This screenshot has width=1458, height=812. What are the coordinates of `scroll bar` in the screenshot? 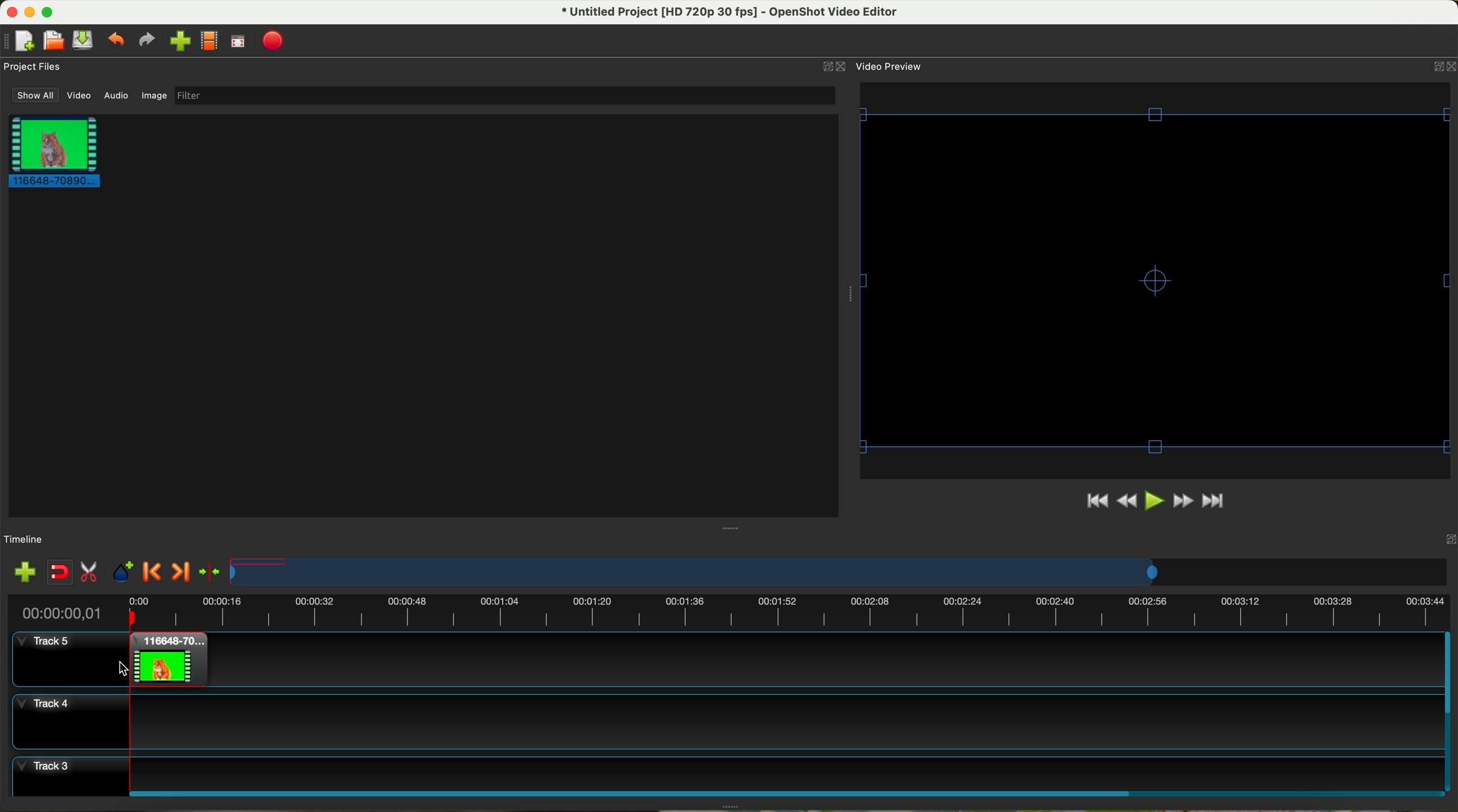 It's located at (784, 792).